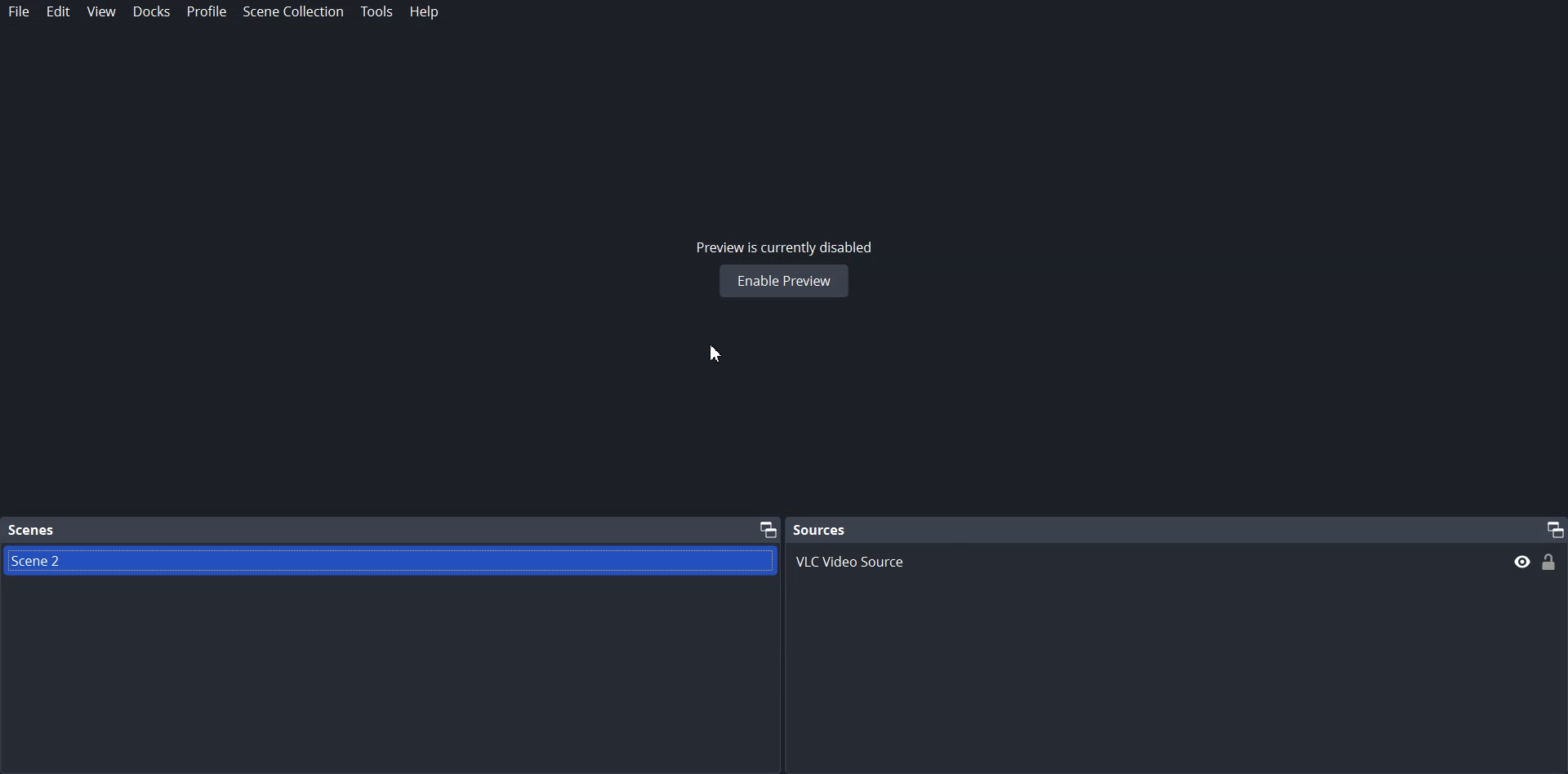  What do you see at coordinates (1139, 559) in the screenshot?
I see `VLC Video source` at bounding box center [1139, 559].